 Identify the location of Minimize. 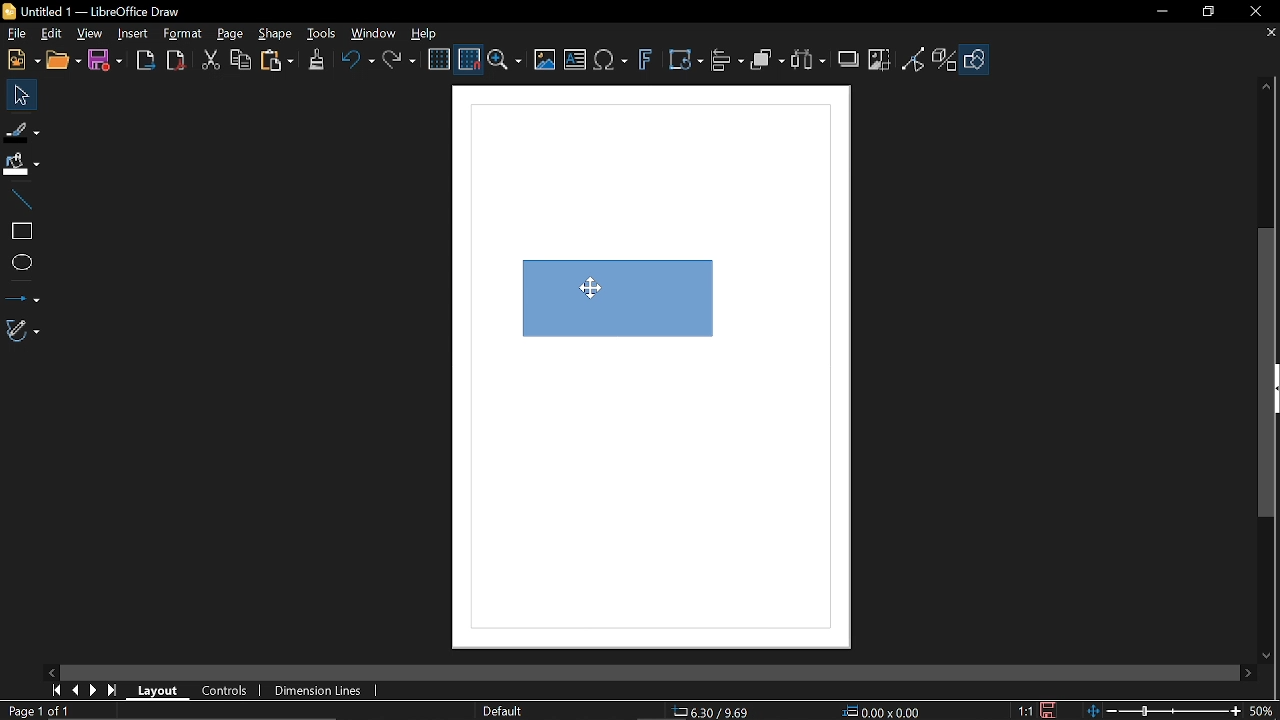
(1159, 12).